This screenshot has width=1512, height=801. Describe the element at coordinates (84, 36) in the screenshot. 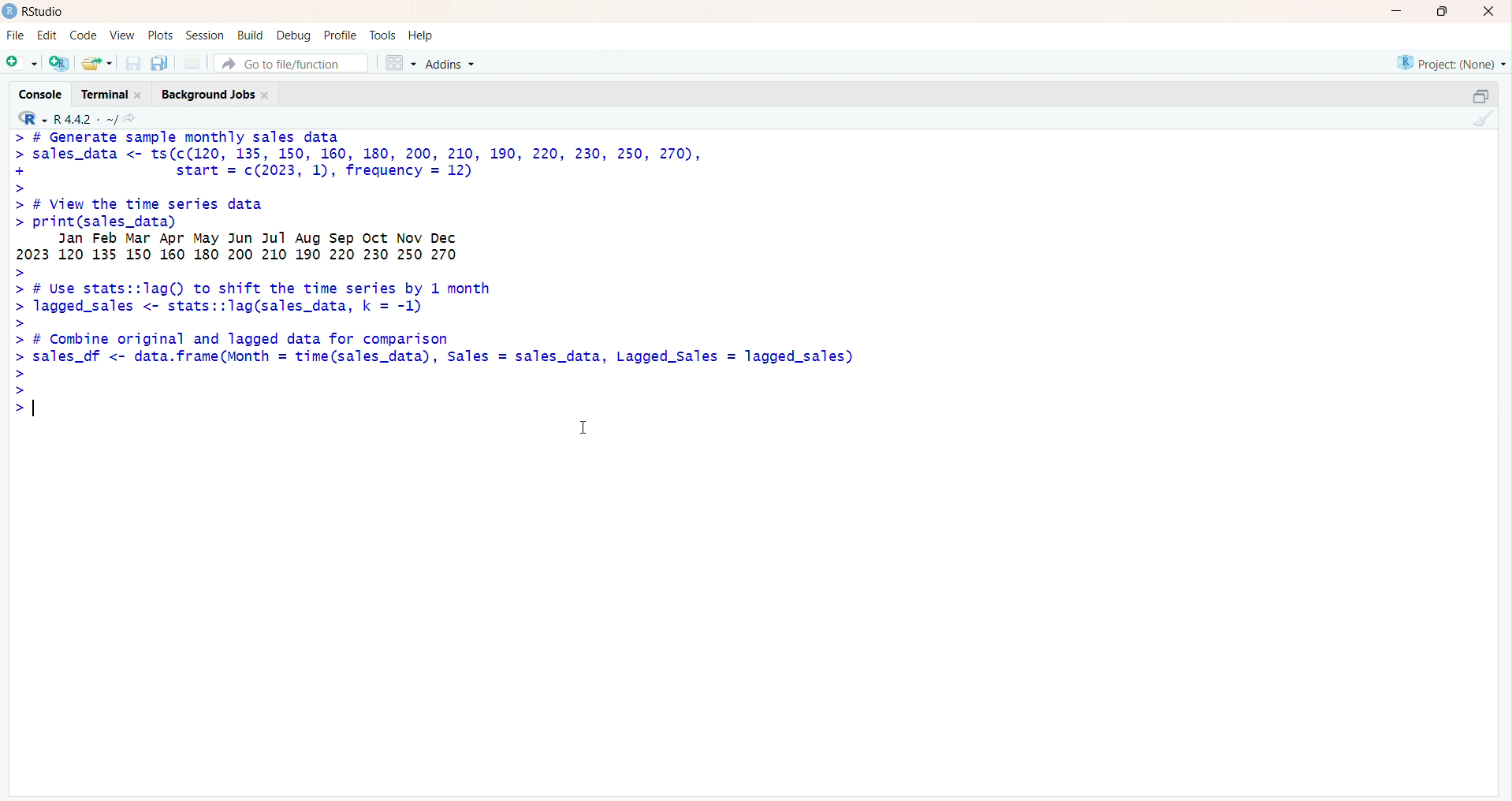

I see `code` at that location.